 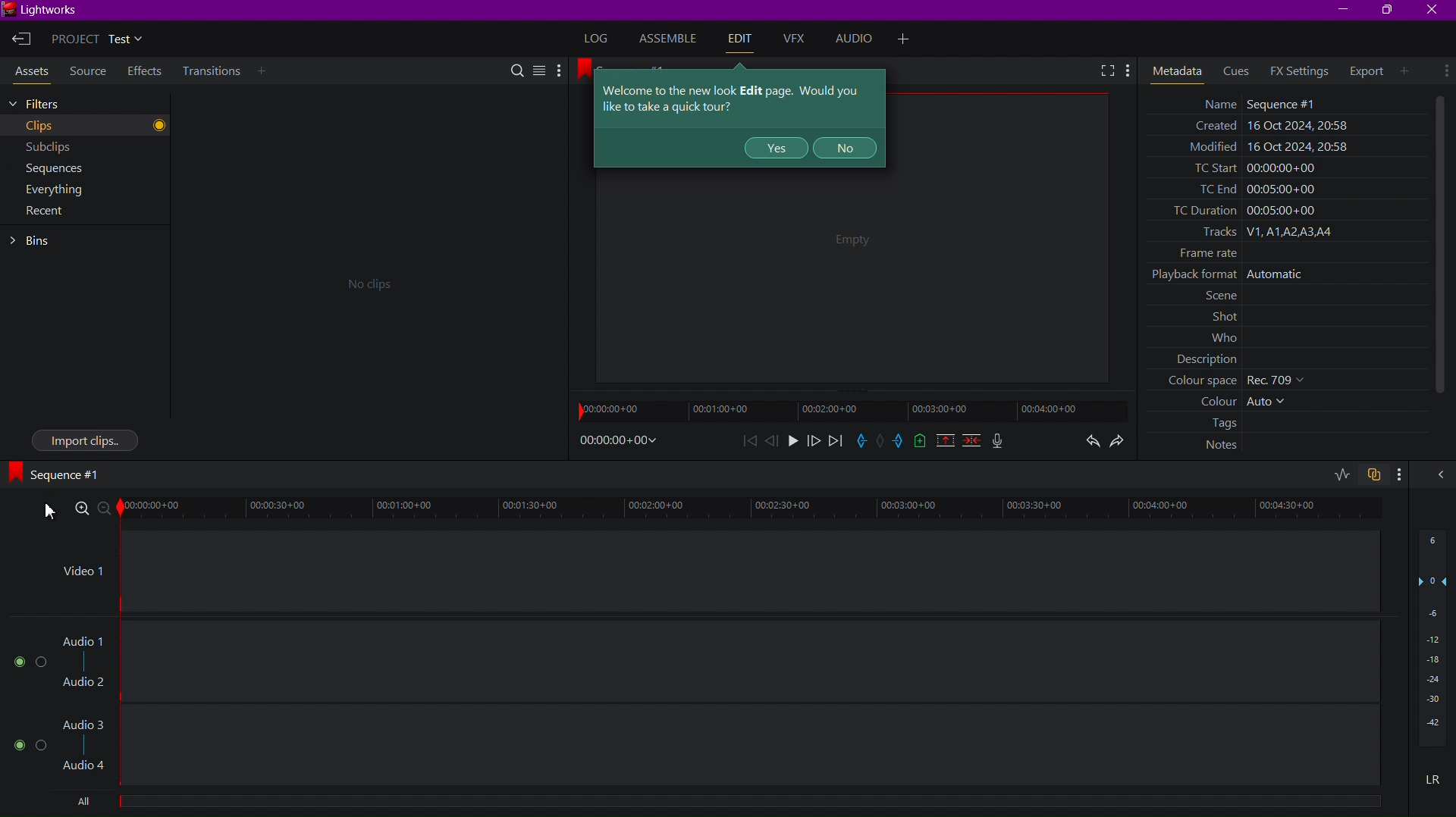 I want to click on Audio 3, so click(x=83, y=723).